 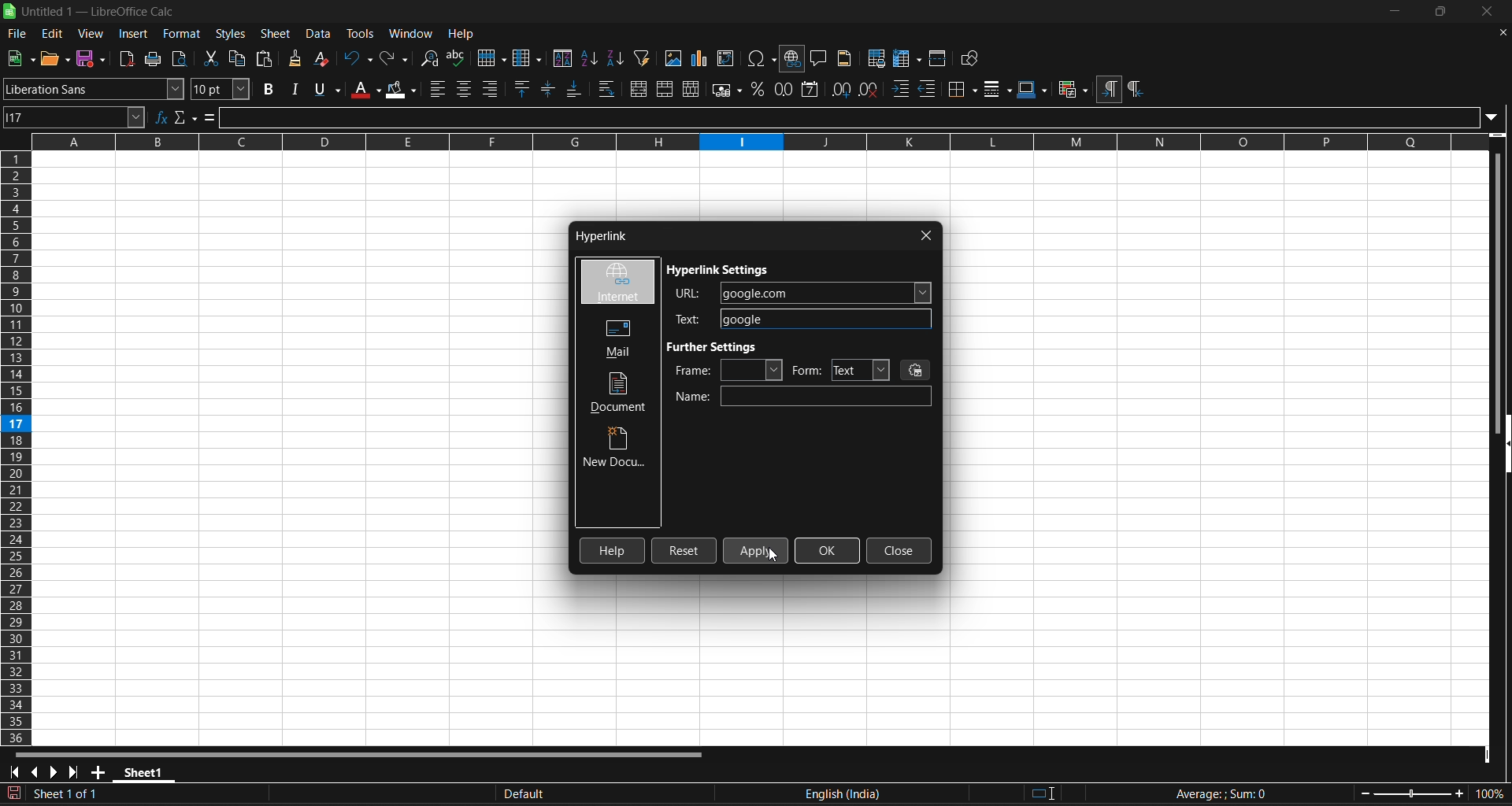 I want to click on redo, so click(x=396, y=58).